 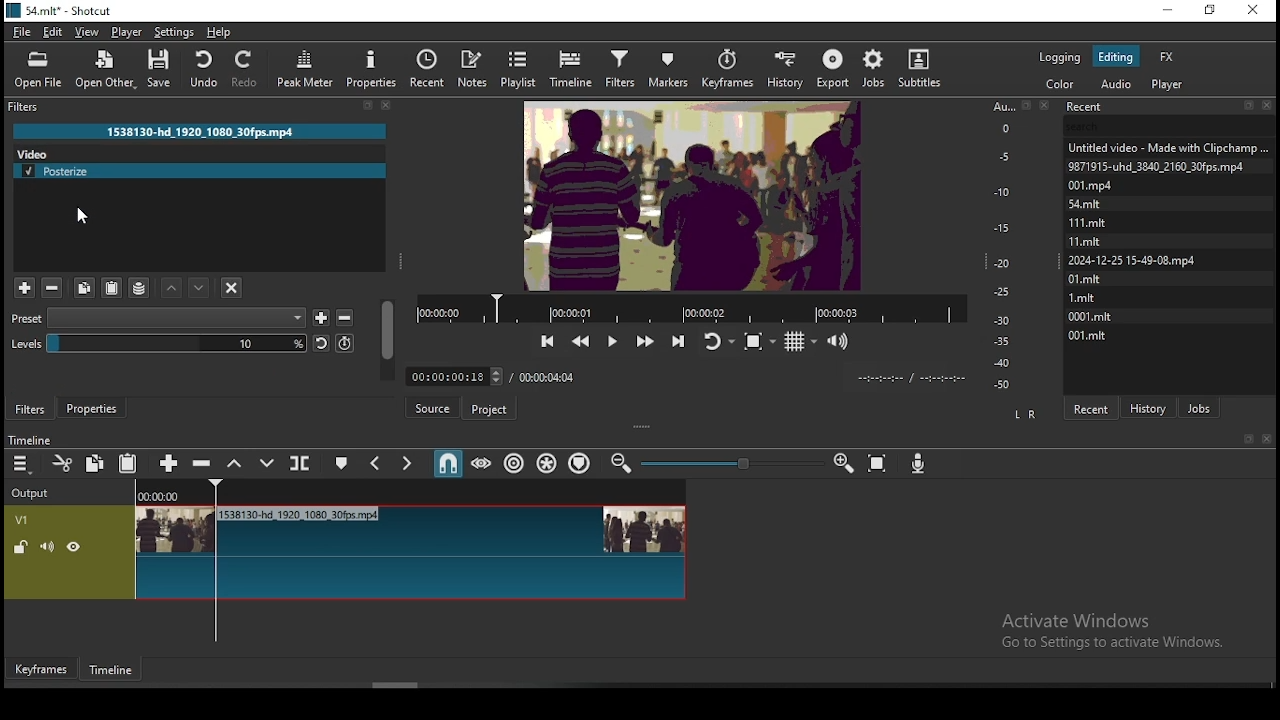 I want to click on 54.mit, so click(x=1084, y=203).